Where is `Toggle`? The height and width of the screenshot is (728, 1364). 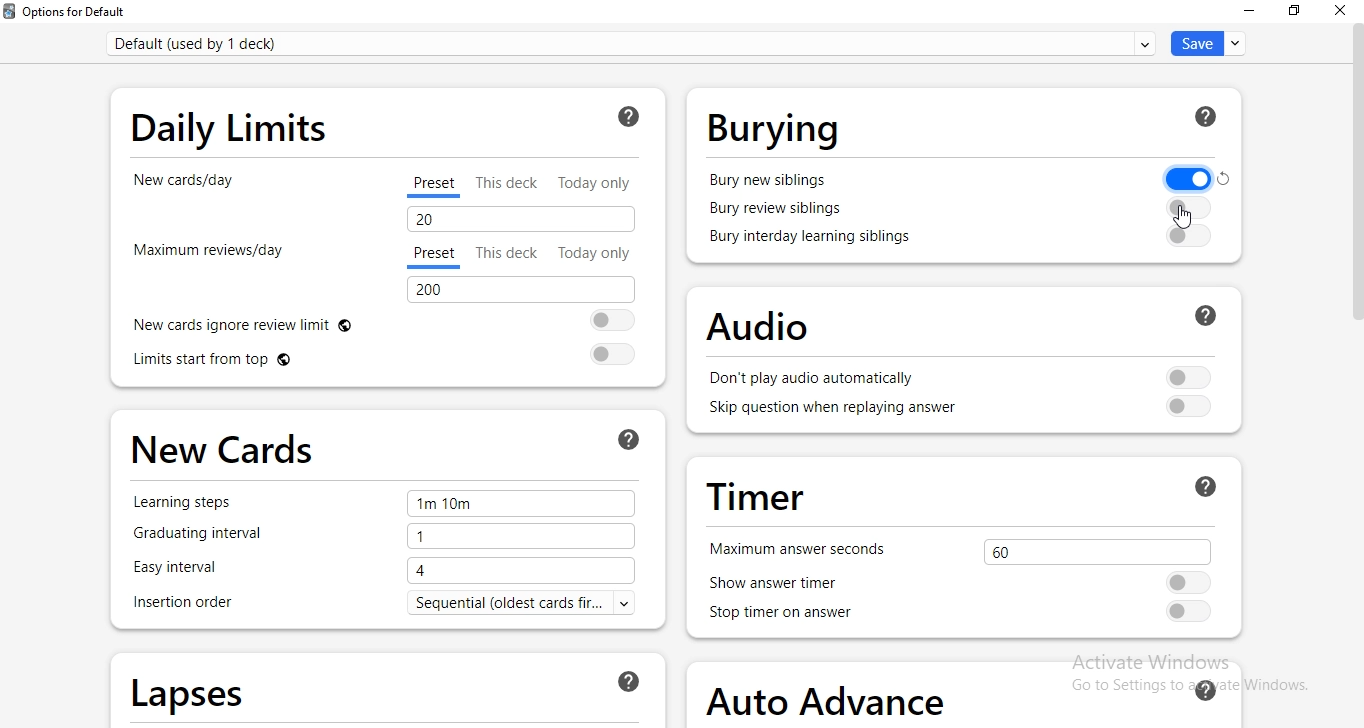
Toggle is located at coordinates (1180, 176).